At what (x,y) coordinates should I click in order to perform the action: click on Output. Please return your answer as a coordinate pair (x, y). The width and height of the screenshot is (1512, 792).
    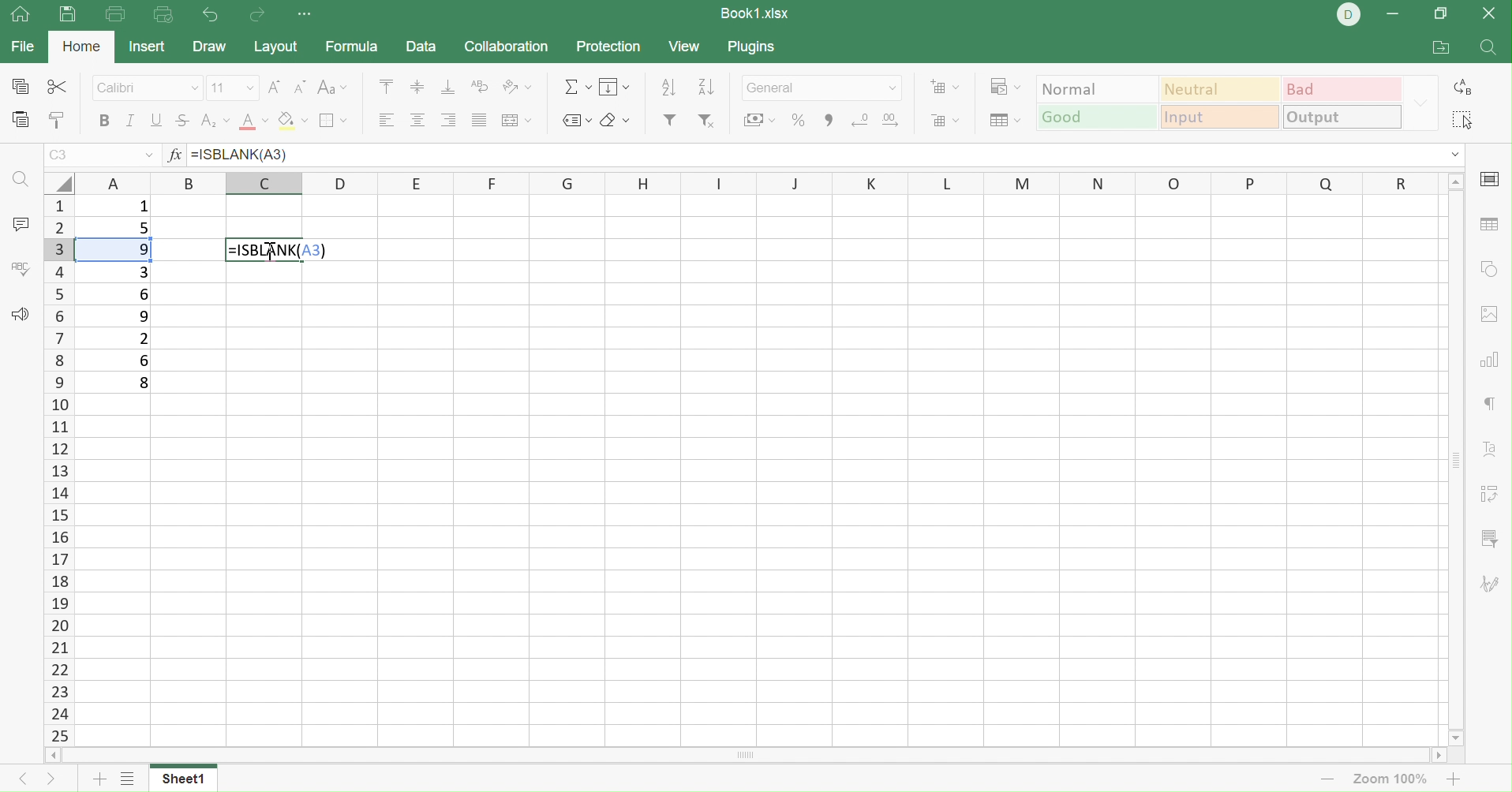
    Looking at the image, I should click on (1342, 118).